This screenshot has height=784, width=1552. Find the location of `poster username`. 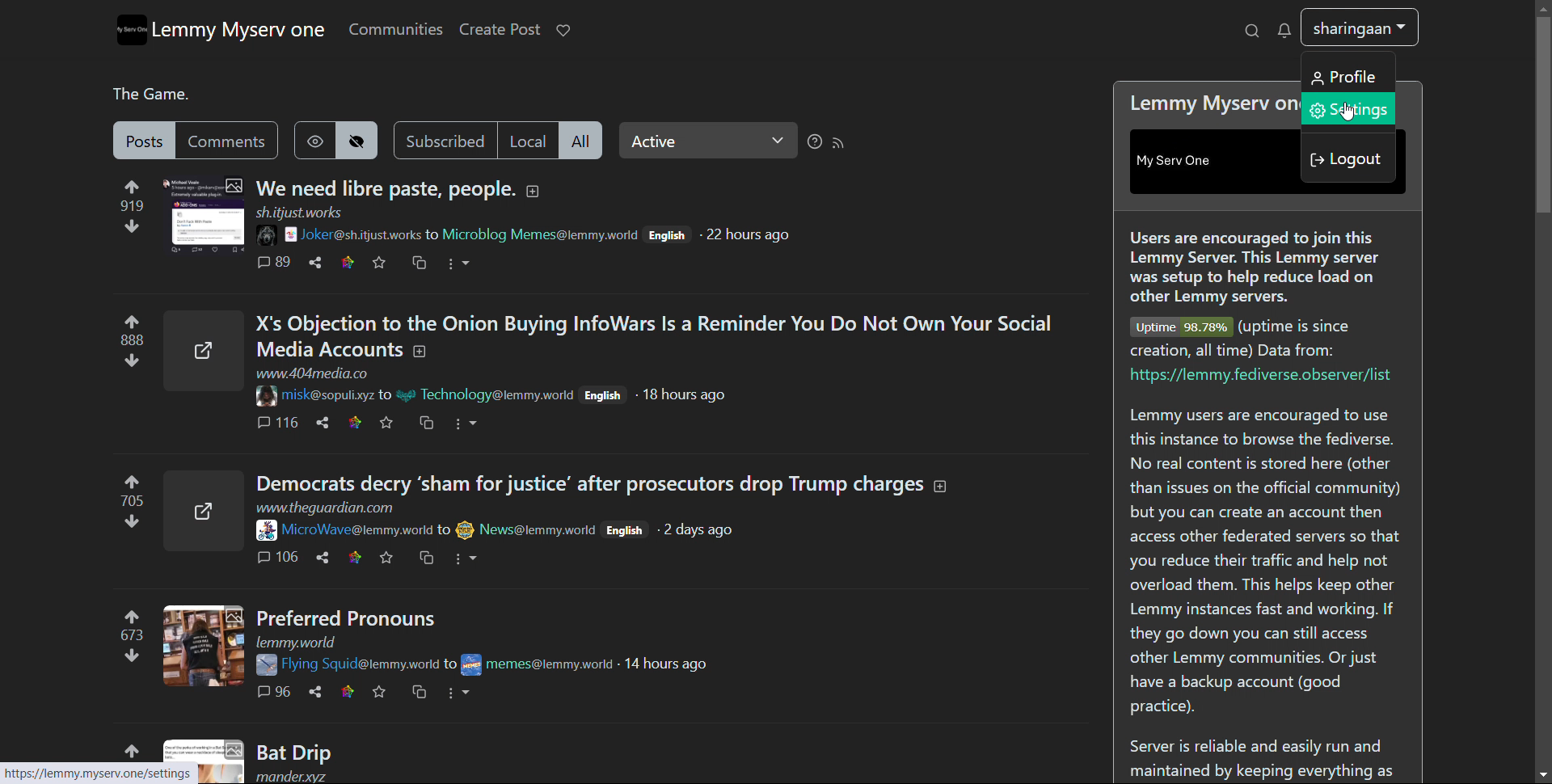

poster username is located at coordinates (553, 664).